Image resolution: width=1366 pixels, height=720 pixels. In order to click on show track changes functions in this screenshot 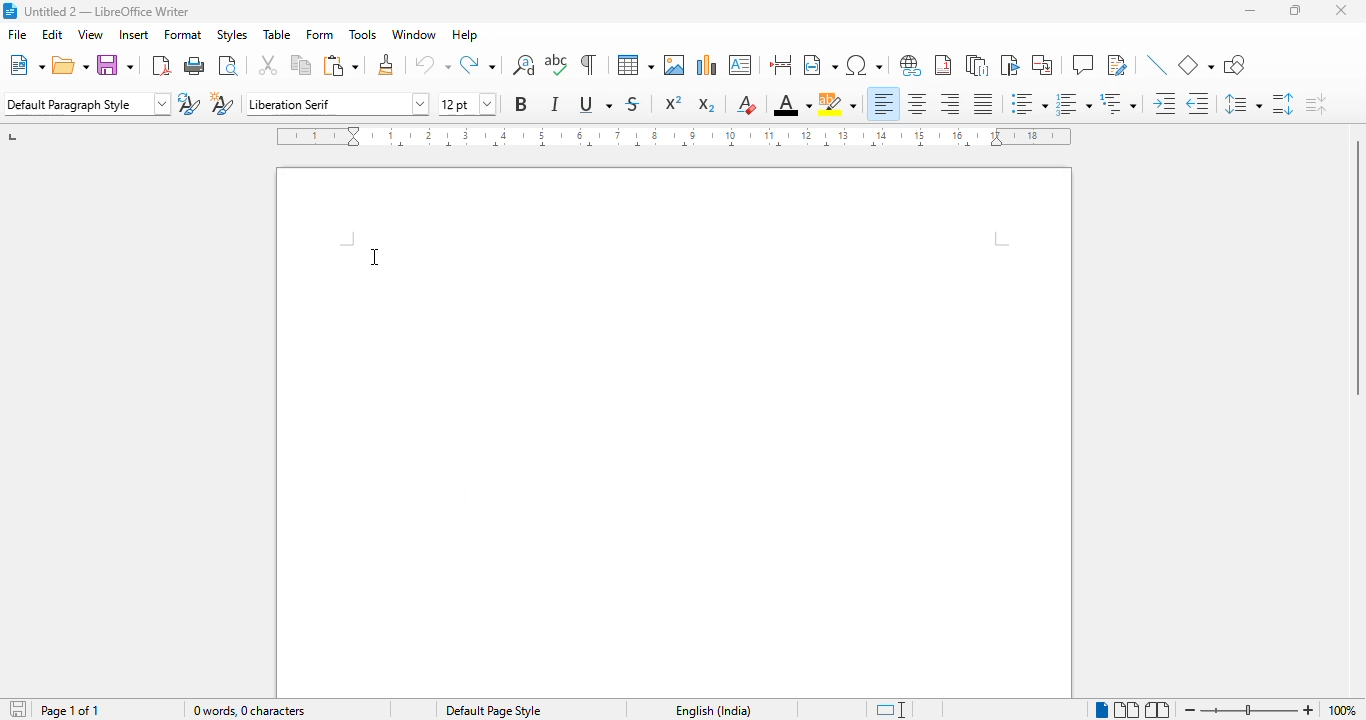, I will do `click(1118, 65)`.